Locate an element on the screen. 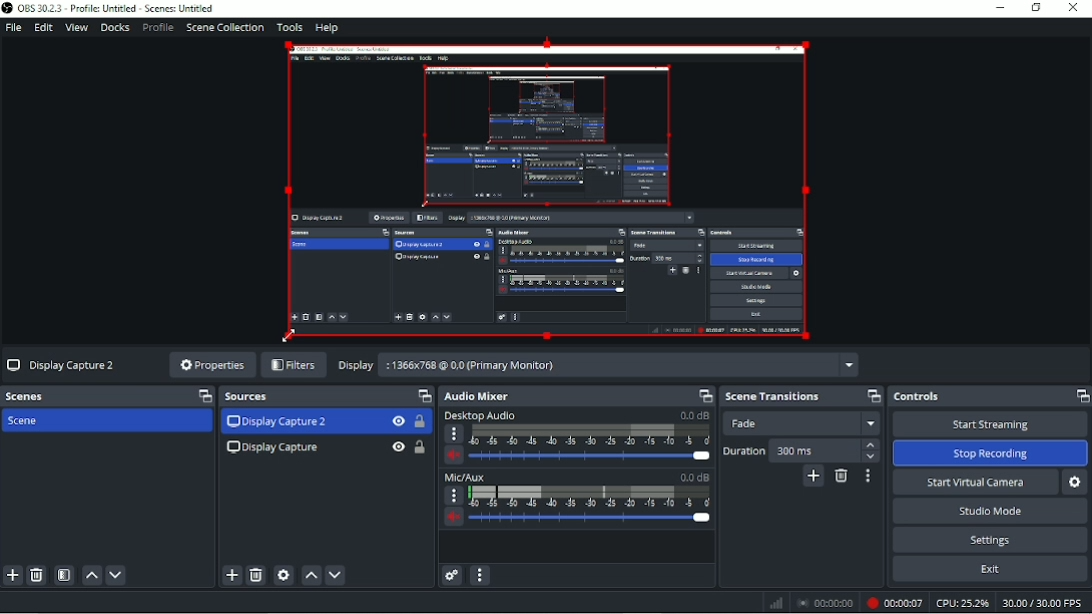 This screenshot has height=614, width=1092. slider is located at coordinates (592, 521).